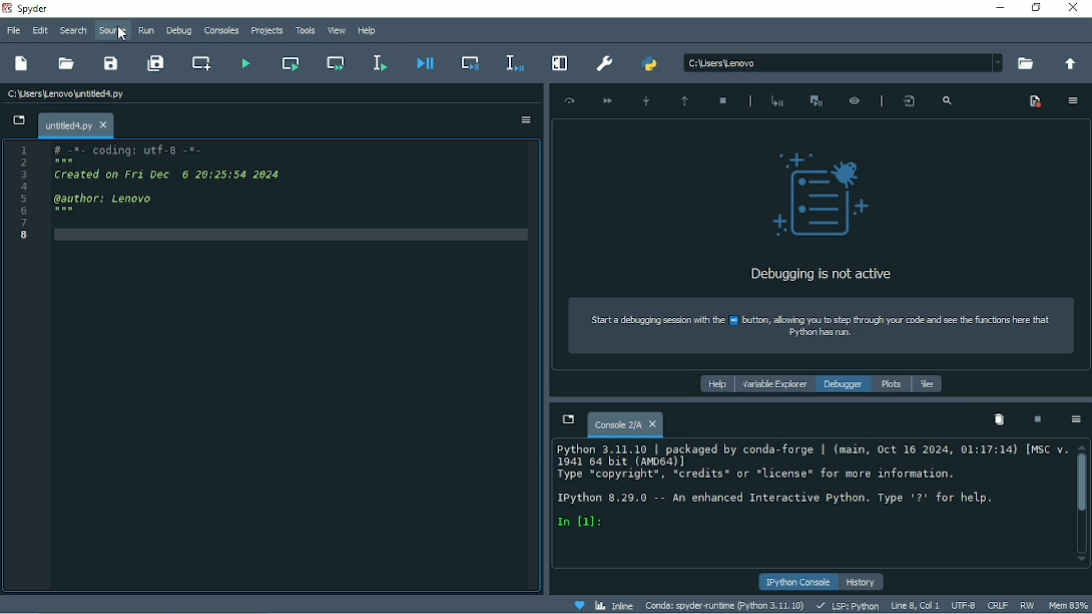 The width and height of the screenshot is (1092, 614). Describe the element at coordinates (1074, 101) in the screenshot. I see `Options` at that location.